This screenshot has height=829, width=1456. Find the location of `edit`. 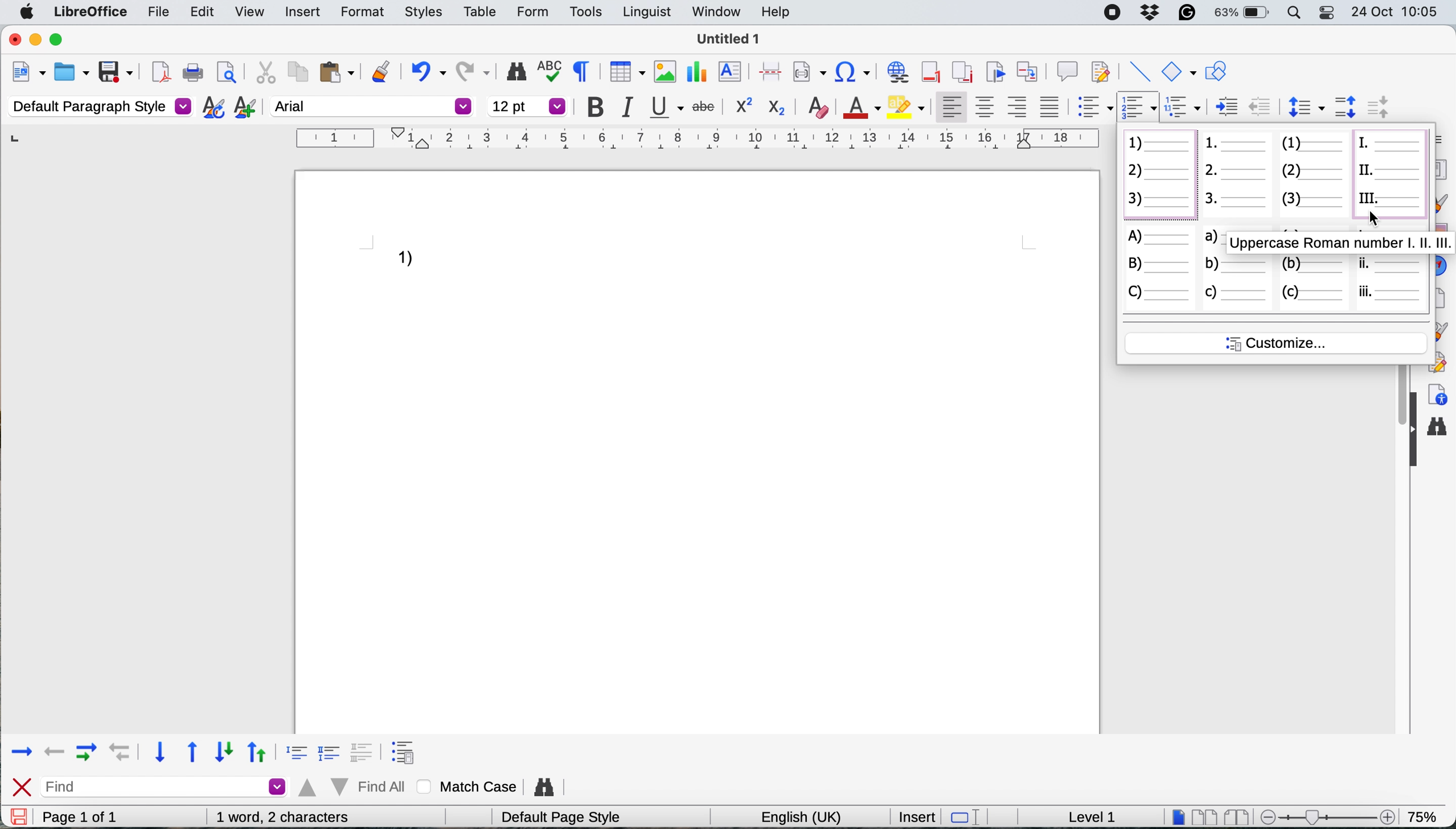

edit is located at coordinates (204, 12).